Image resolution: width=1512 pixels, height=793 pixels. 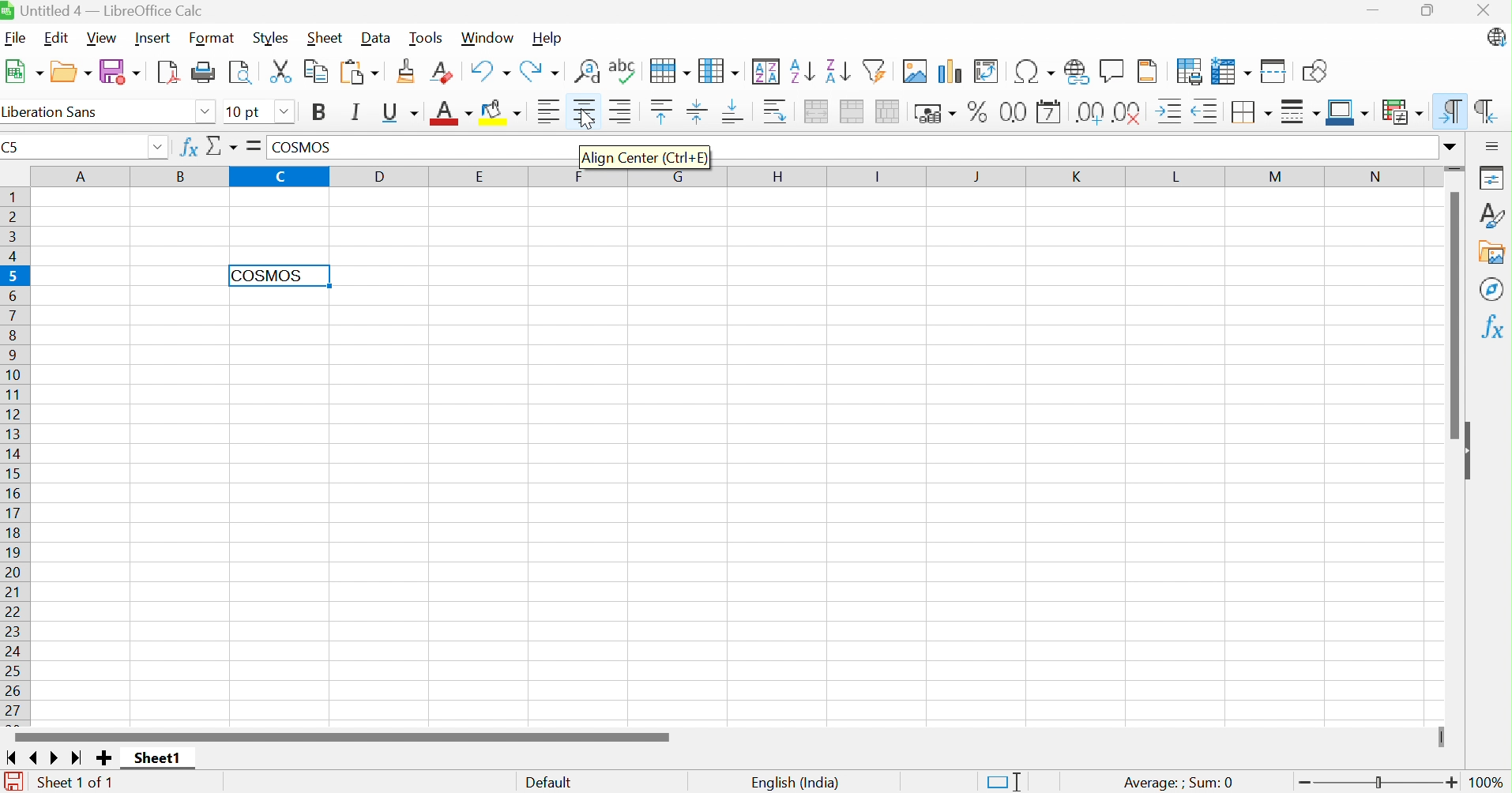 I want to click on Slider, so click(x=1378, y=784).